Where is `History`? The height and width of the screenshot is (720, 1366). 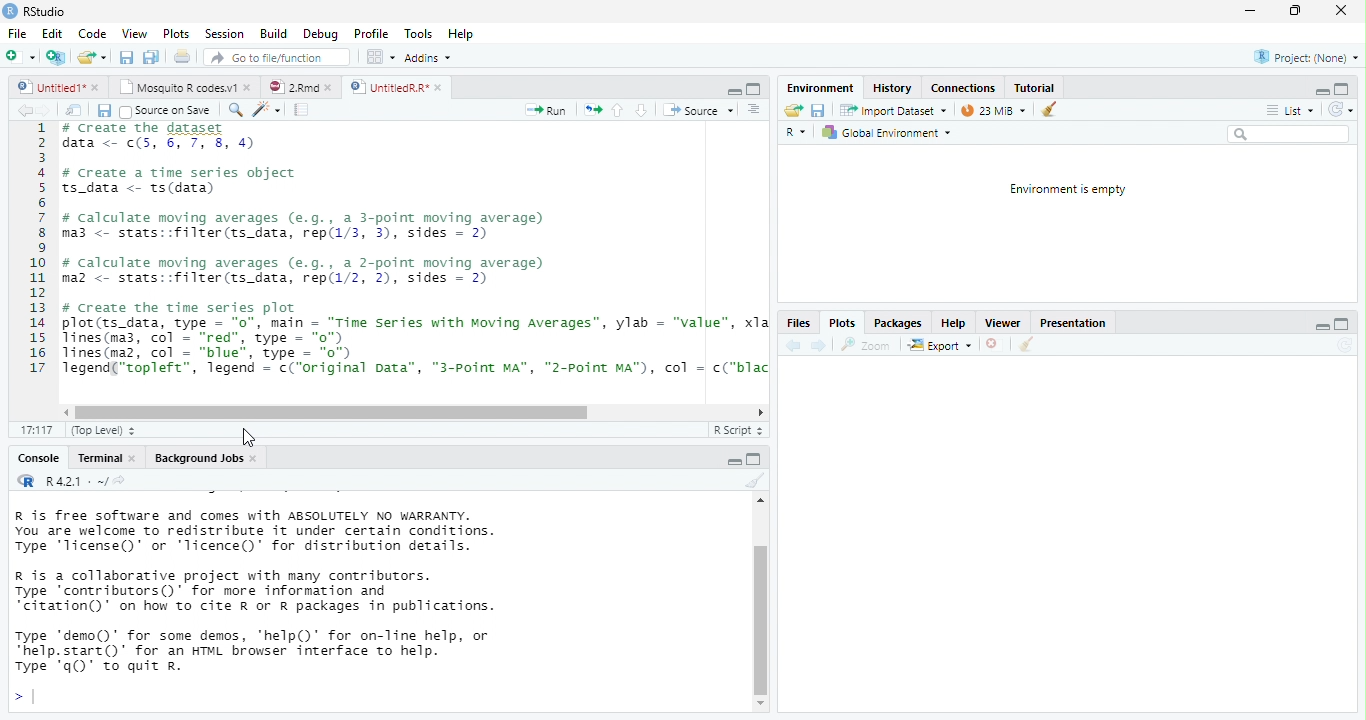
History is located at coordinates (892, 87).